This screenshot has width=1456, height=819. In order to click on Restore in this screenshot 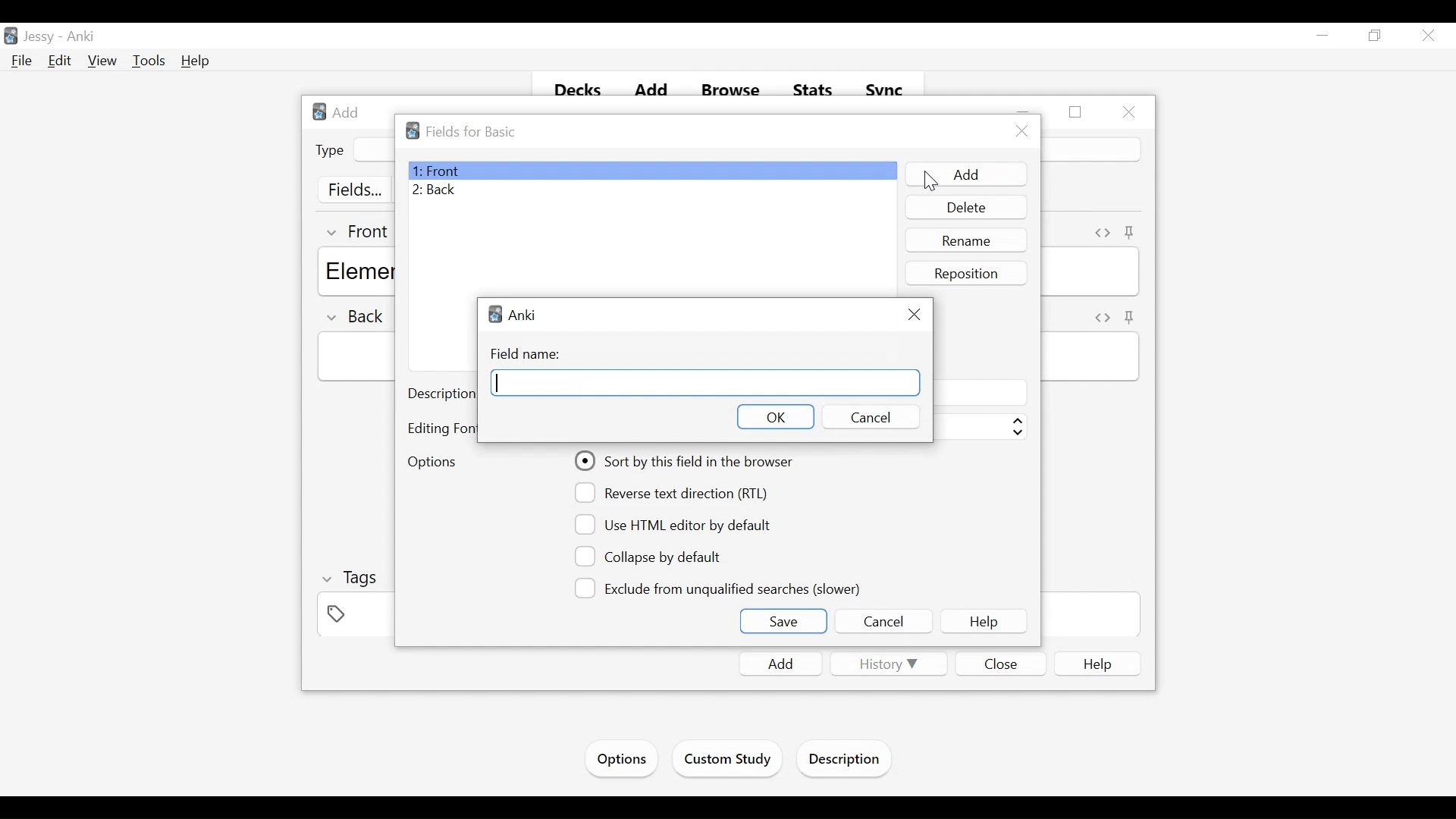, I will do `click(1373, 36)`.